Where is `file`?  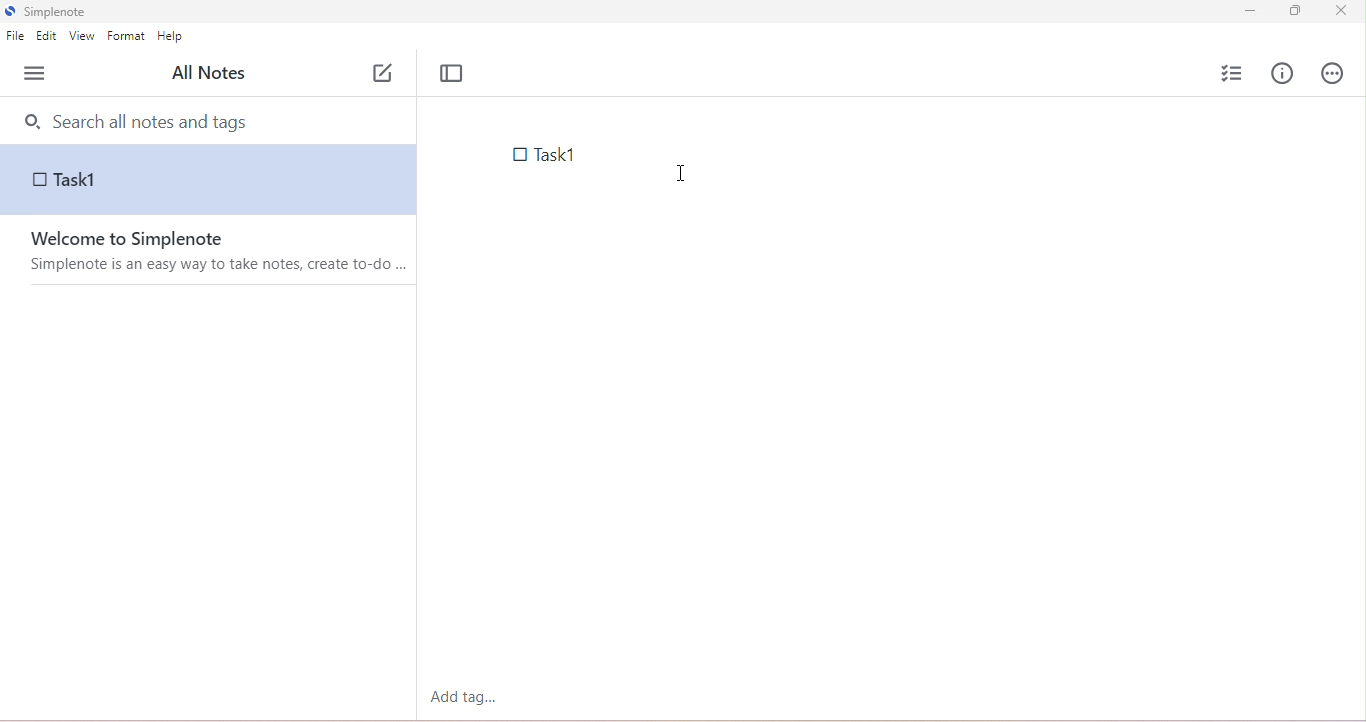 file is located at coordinates (15, 37).